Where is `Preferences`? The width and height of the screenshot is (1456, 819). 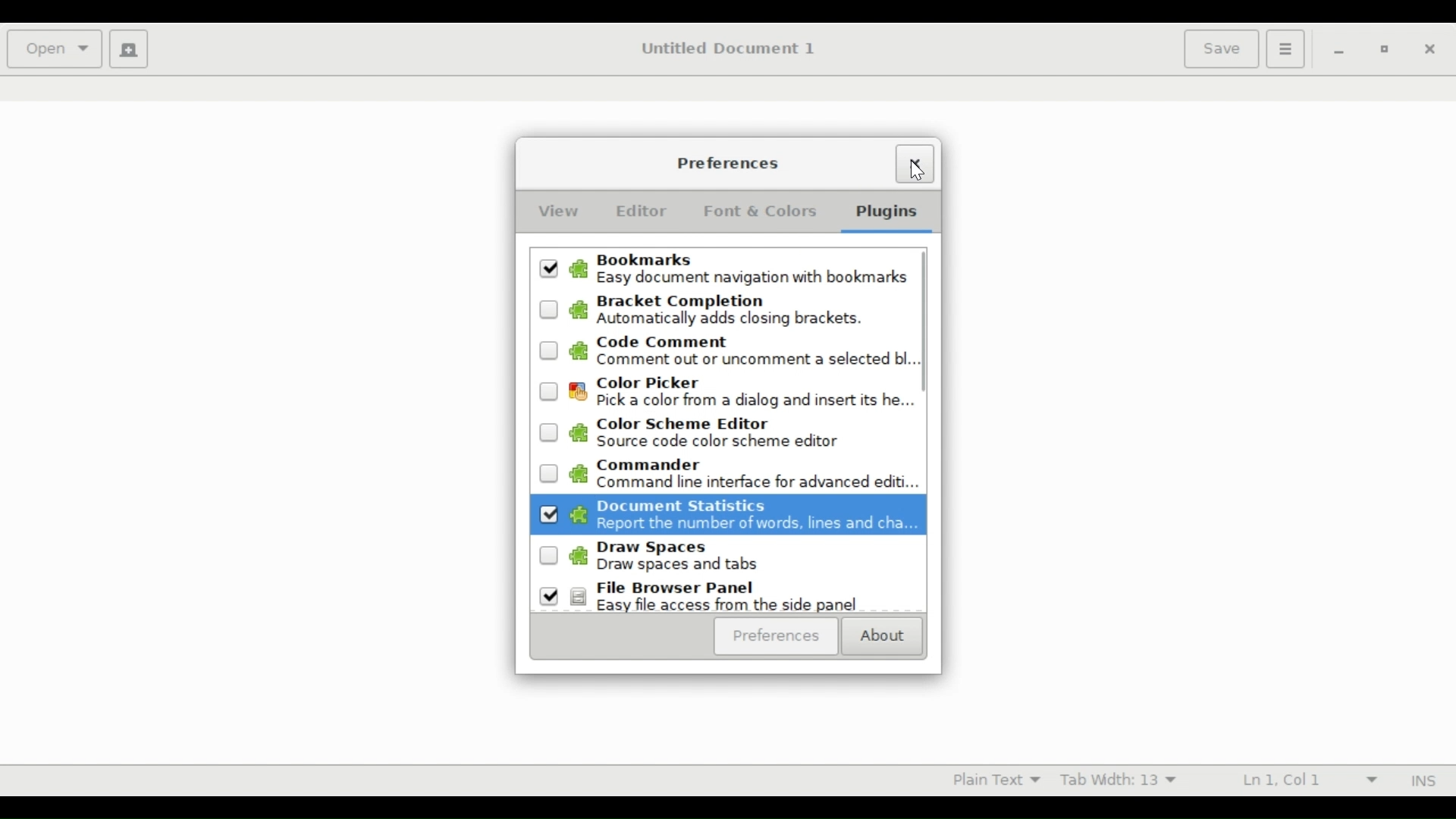
Preferences is located at coordinates (730, 165).